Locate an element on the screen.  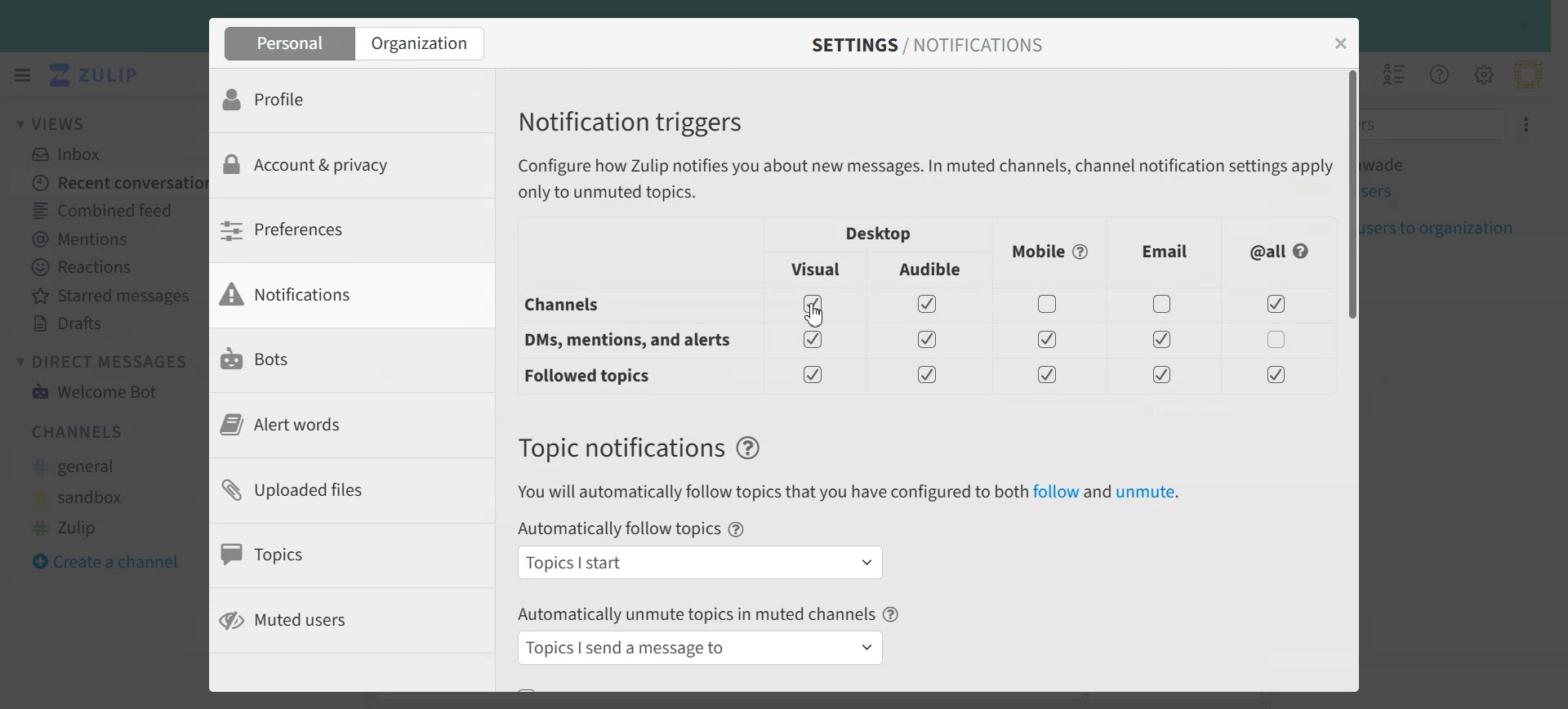
Channels is located at coordinates (80, 431).